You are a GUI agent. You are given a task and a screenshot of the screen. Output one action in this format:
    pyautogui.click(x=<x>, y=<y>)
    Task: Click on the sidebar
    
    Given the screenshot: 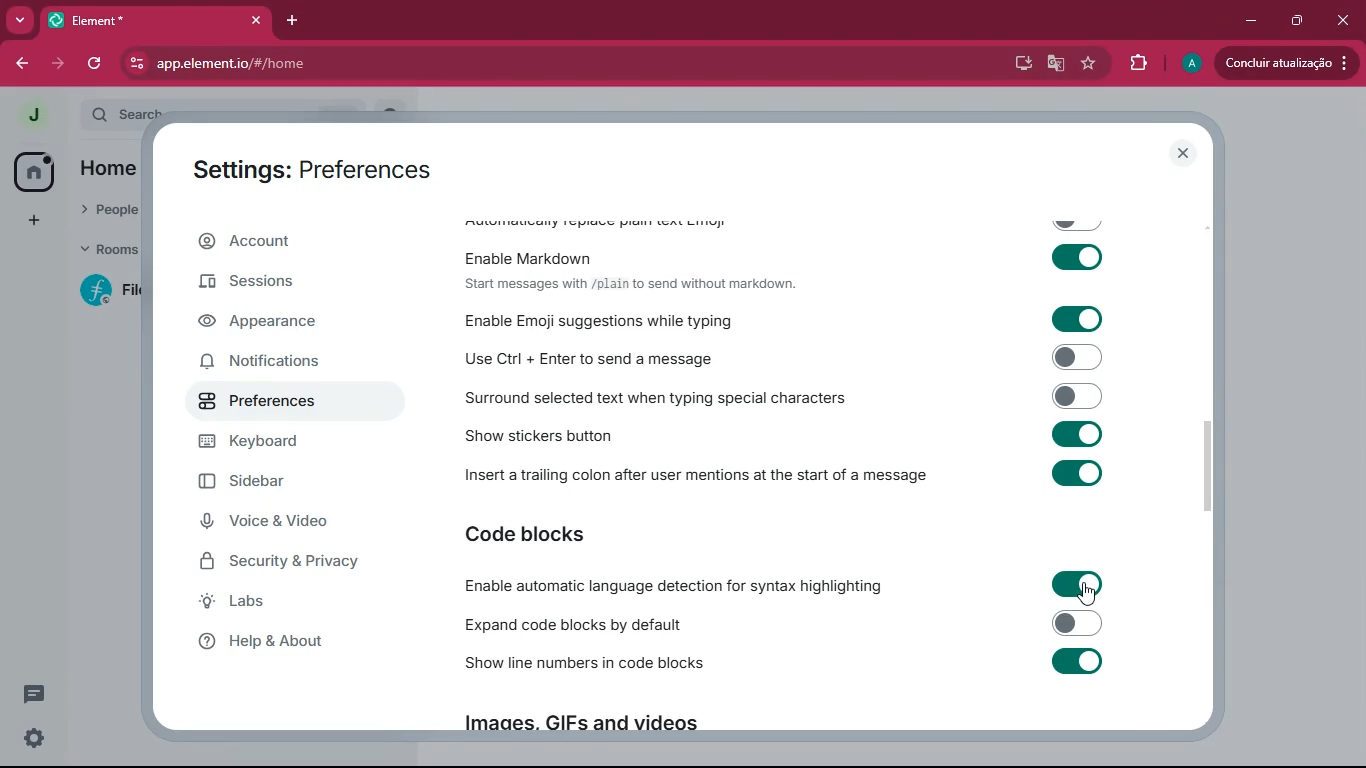 What is the action you would take?
    pyautogui.click(x=295, y=482)
    